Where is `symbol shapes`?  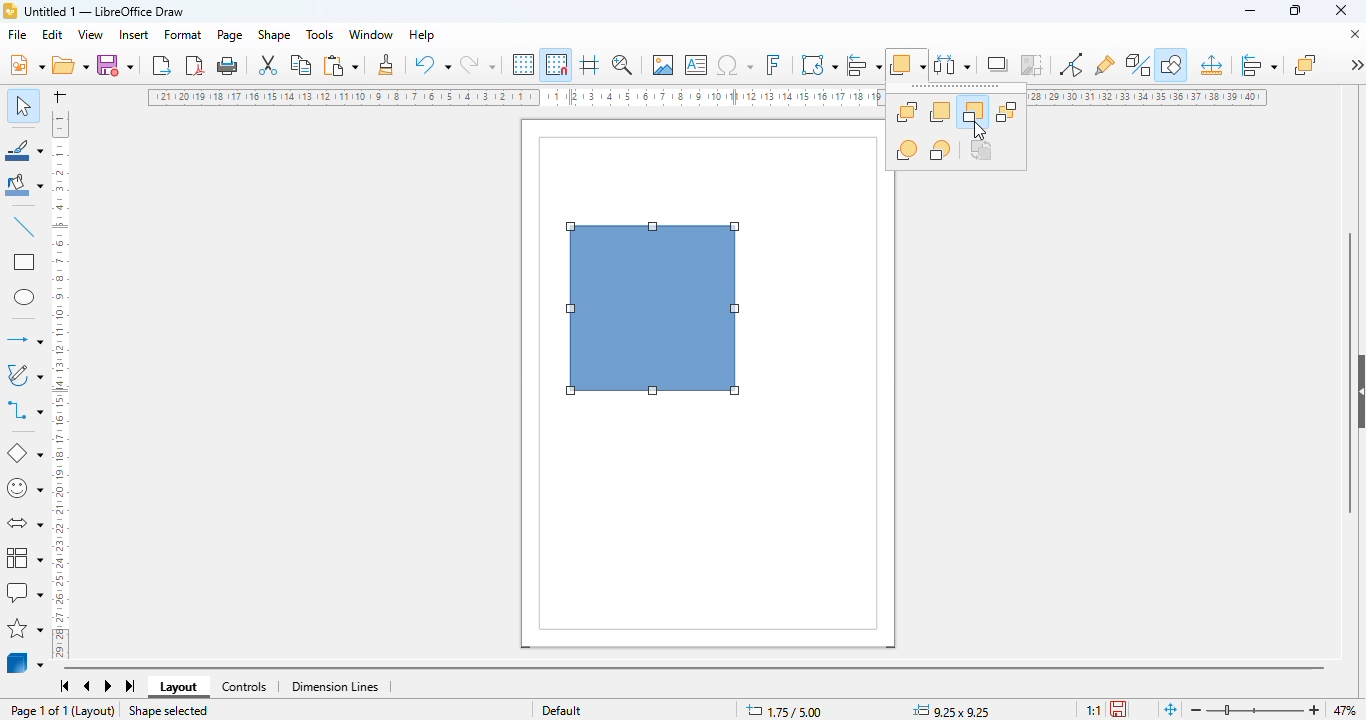 symbol shapes is located at coordinates (24, 489).